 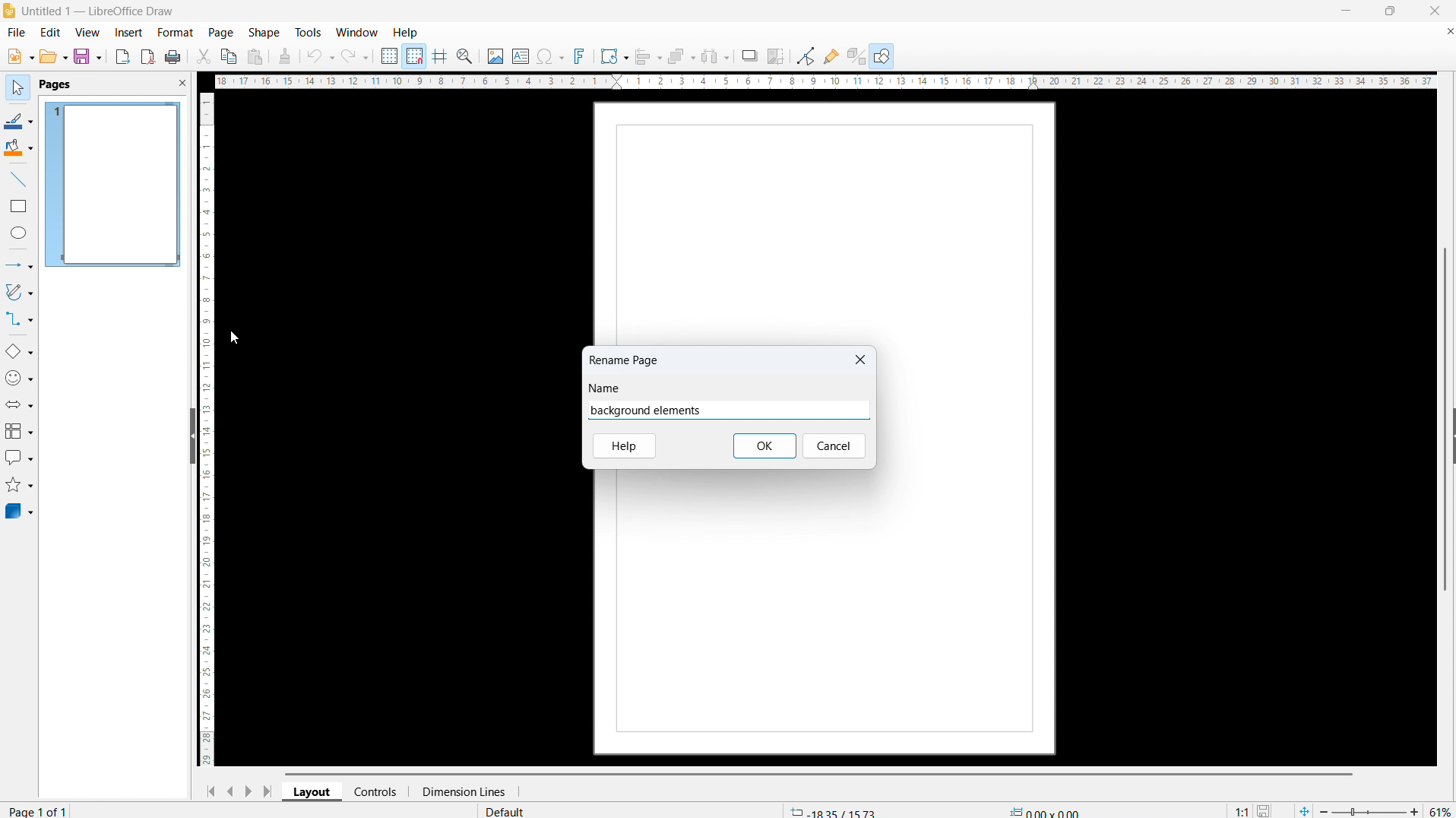 I want to click on line color, so click(x=19, y=120).